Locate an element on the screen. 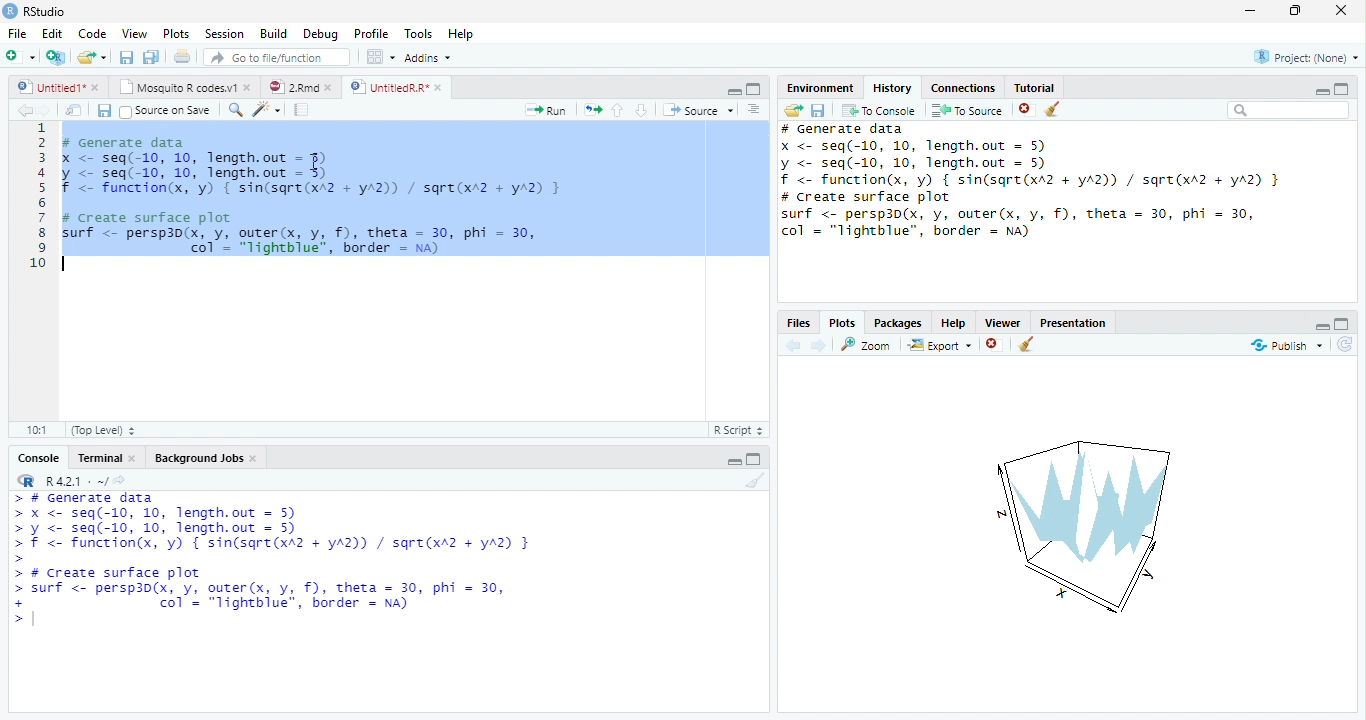 The image size is (1366, 720). # Generate data

x <- seq(-10, 10, length.out = 5)

y <- seq(-10, 10, length.out = 5)

F< function(x, y) { sin(sart(xA2 + yA2)) / sqre(xA2 + yA2) }
# create surface plot

surf <- persp3p(x, y, outer(x, y, f), theta = 30, phi = 30,
col = "lightblue", border = NA) is located at coordinates (1032, 182).